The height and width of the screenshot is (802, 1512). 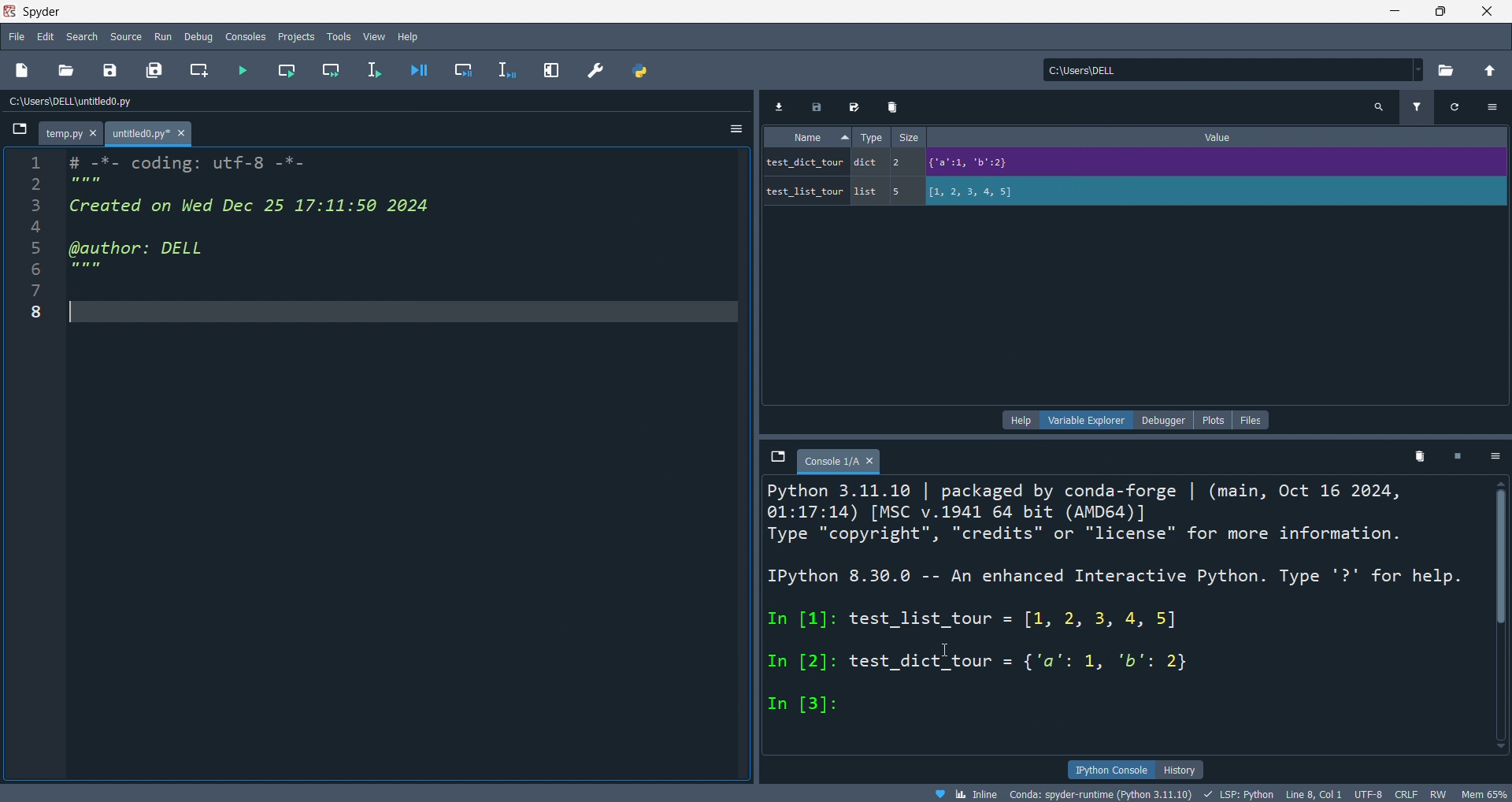 I want to click on 6, so click(x=72, y=266).